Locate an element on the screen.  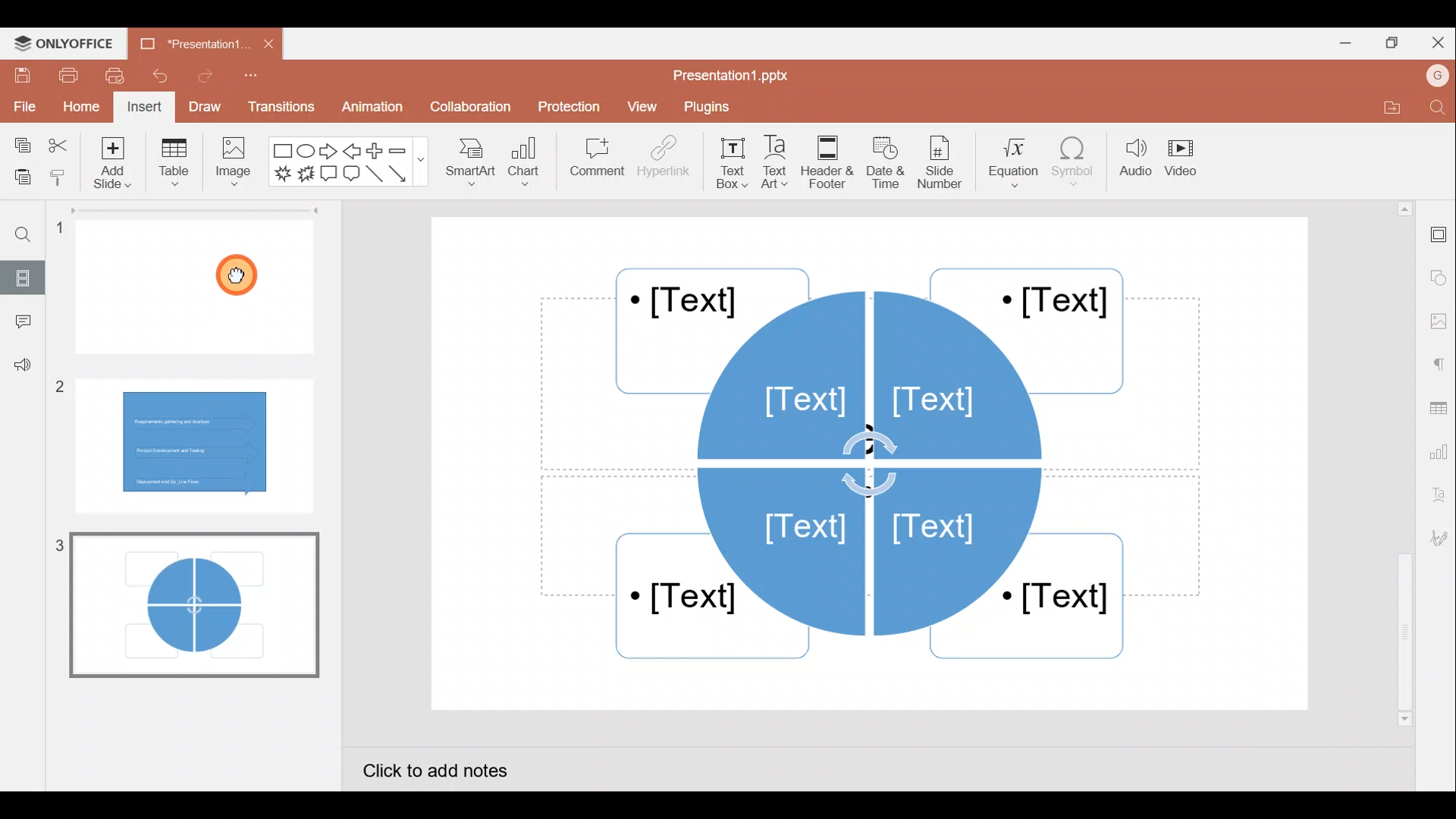
Signature settings is located at coordinates (1436, 538).